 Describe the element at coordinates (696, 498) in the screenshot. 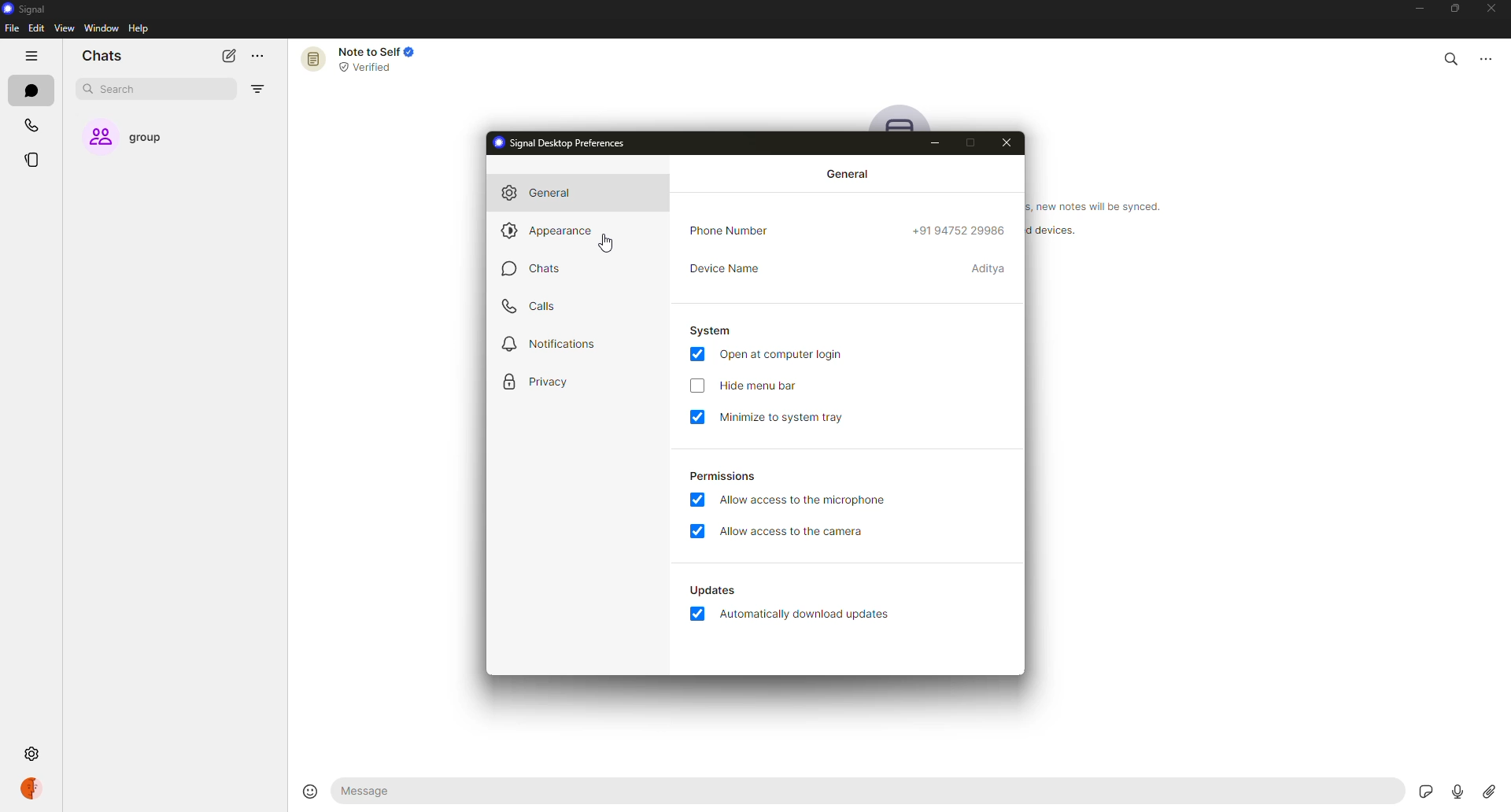

I see `enabled` at that location.